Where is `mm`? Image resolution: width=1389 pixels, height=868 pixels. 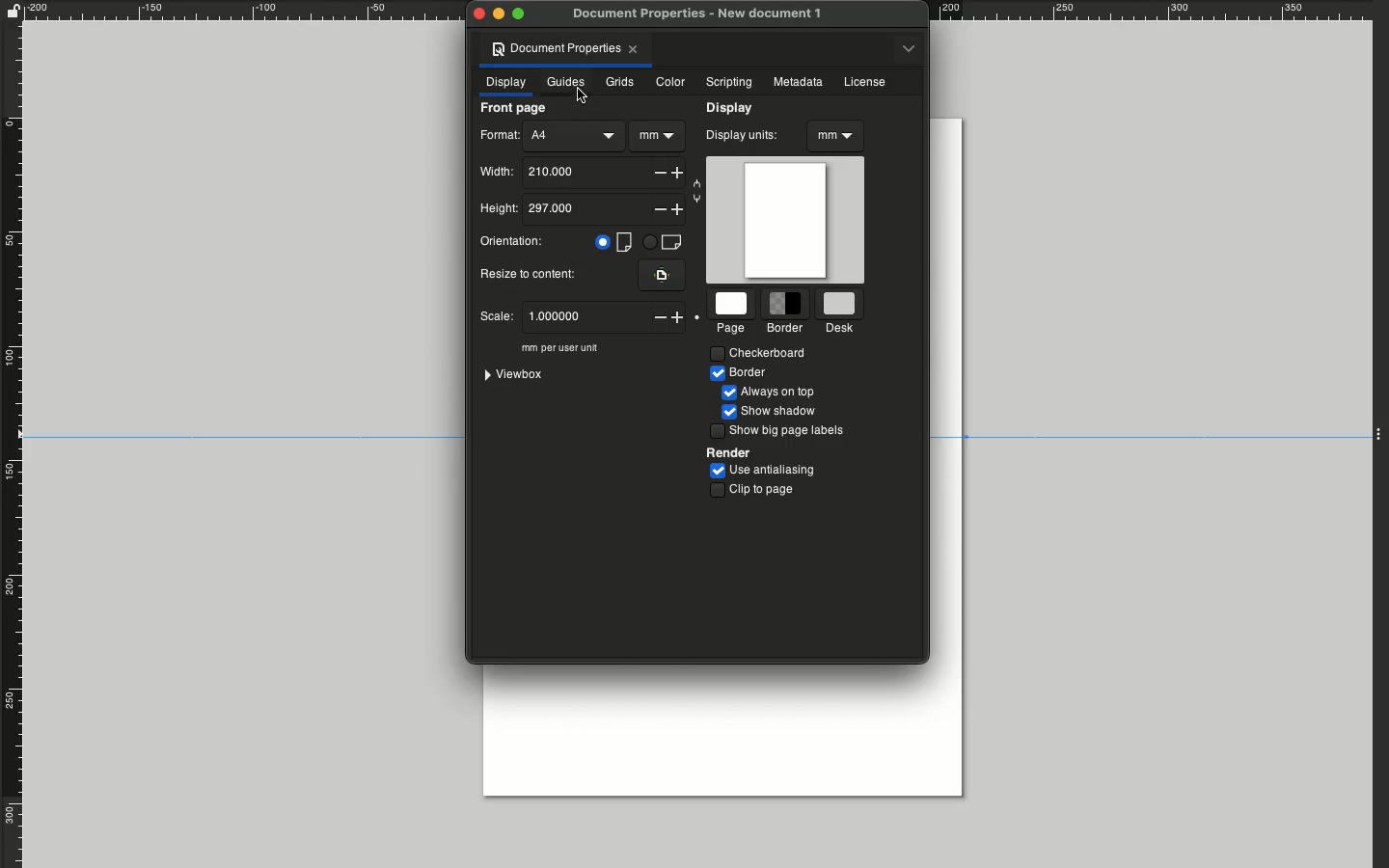
mm is located at coordinates (657, 137).